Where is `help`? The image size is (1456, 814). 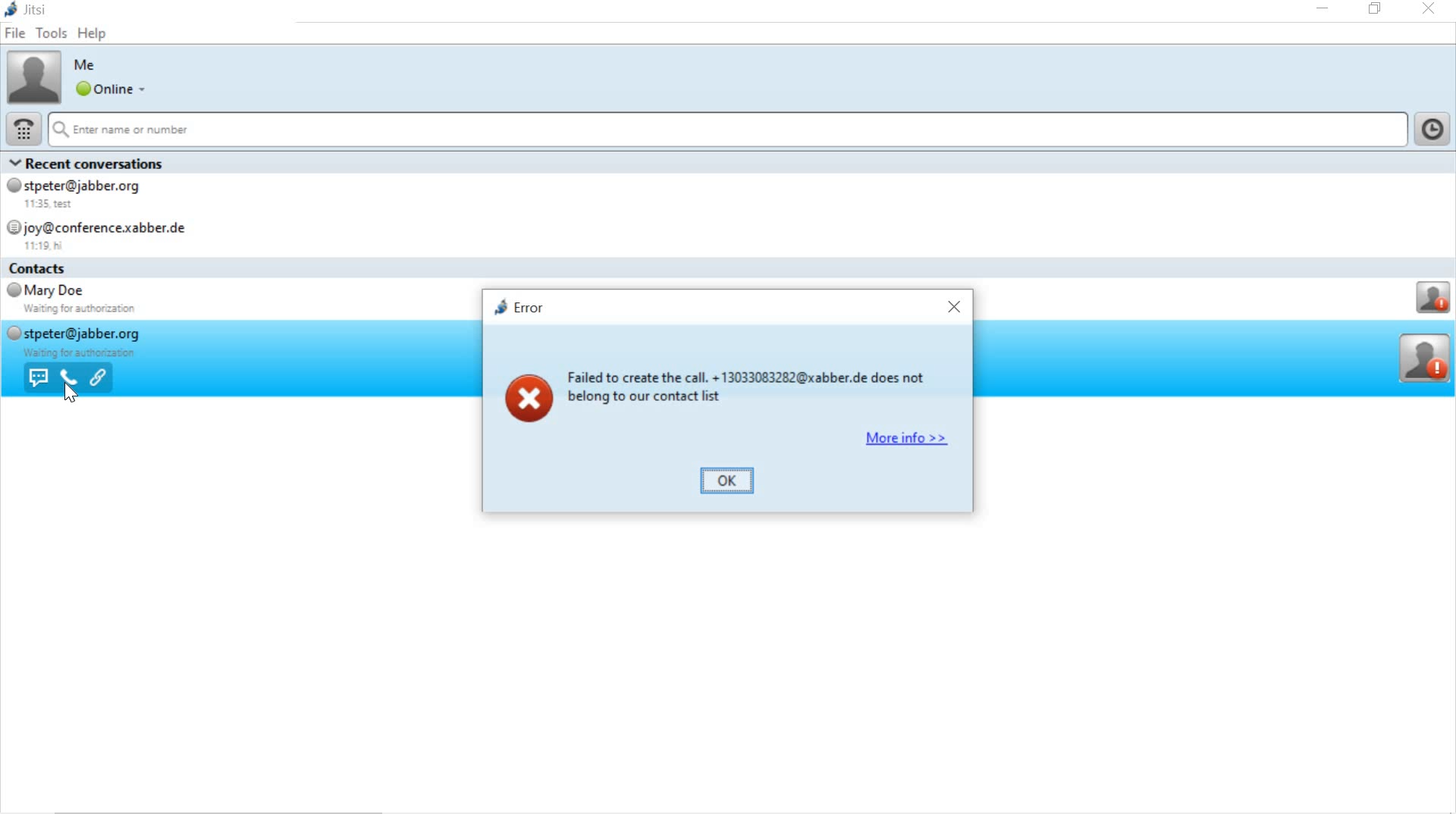 help is located at coordinates (95, 36).